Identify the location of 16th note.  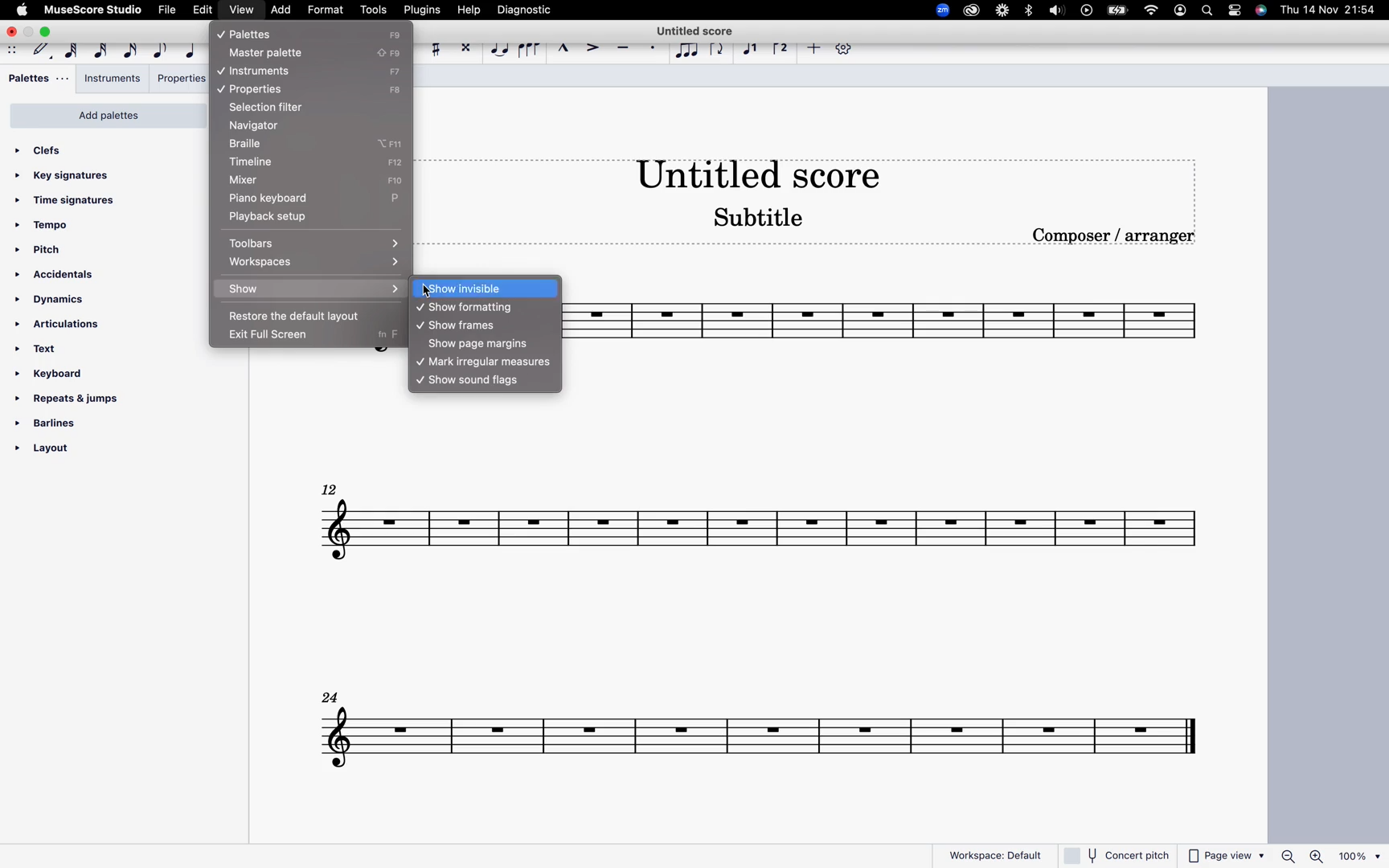
(128, 51).